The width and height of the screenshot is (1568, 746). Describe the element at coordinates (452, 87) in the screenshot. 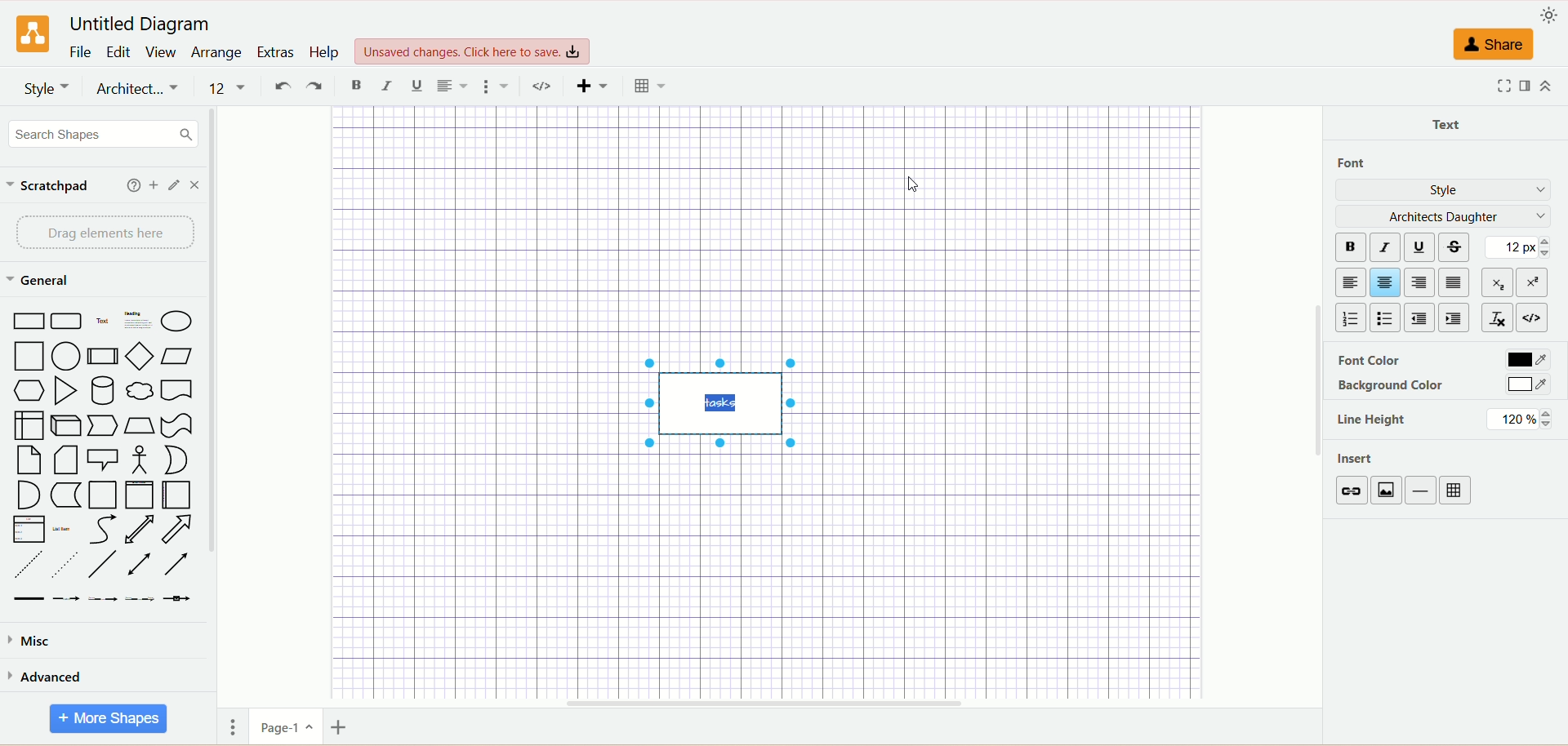

I see `Alignment` at that location.